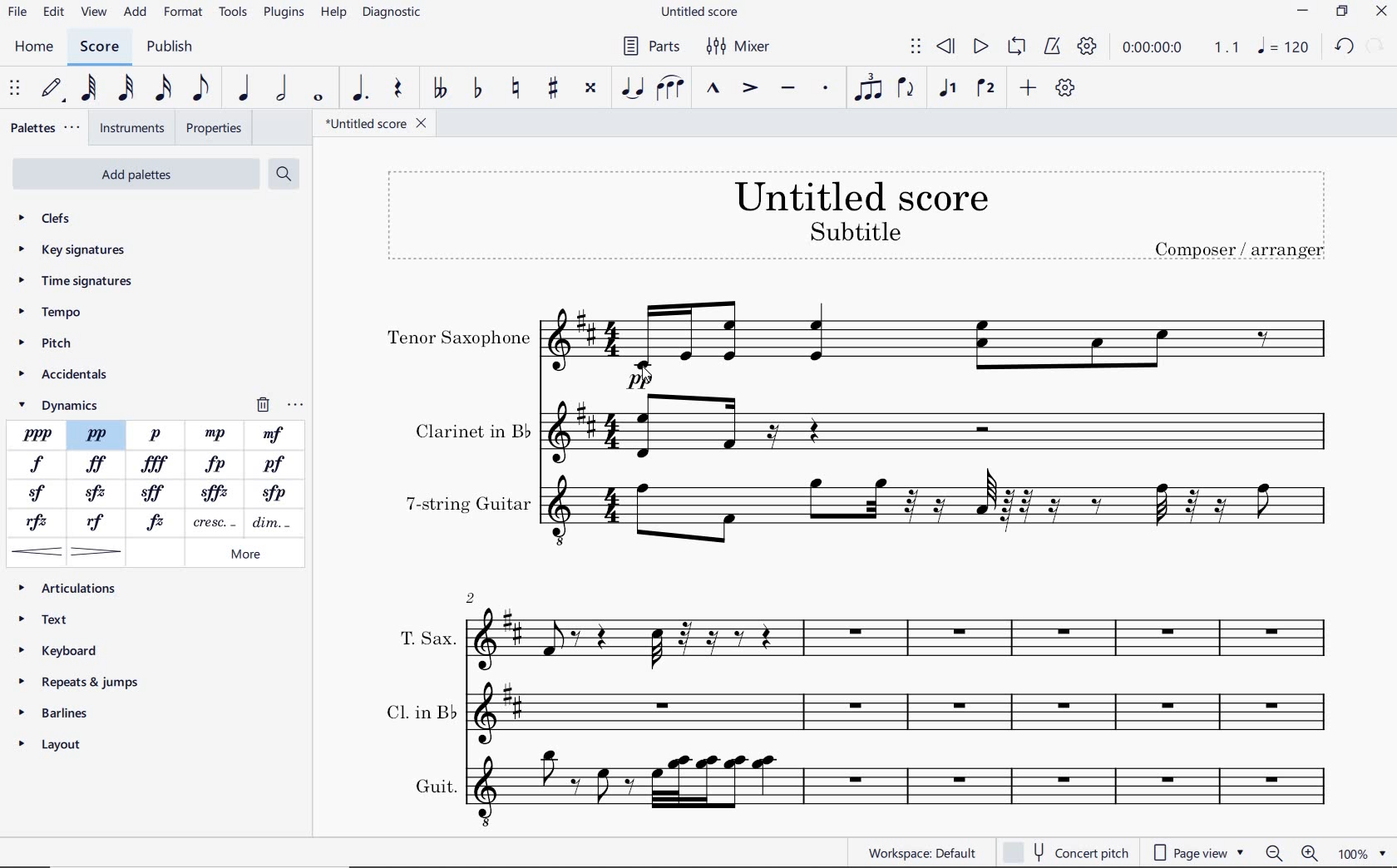  Describe the element at coordinates (270, 494) in the screenshot. I see `SFP(SFORZANDO-PIANO)` at that location.